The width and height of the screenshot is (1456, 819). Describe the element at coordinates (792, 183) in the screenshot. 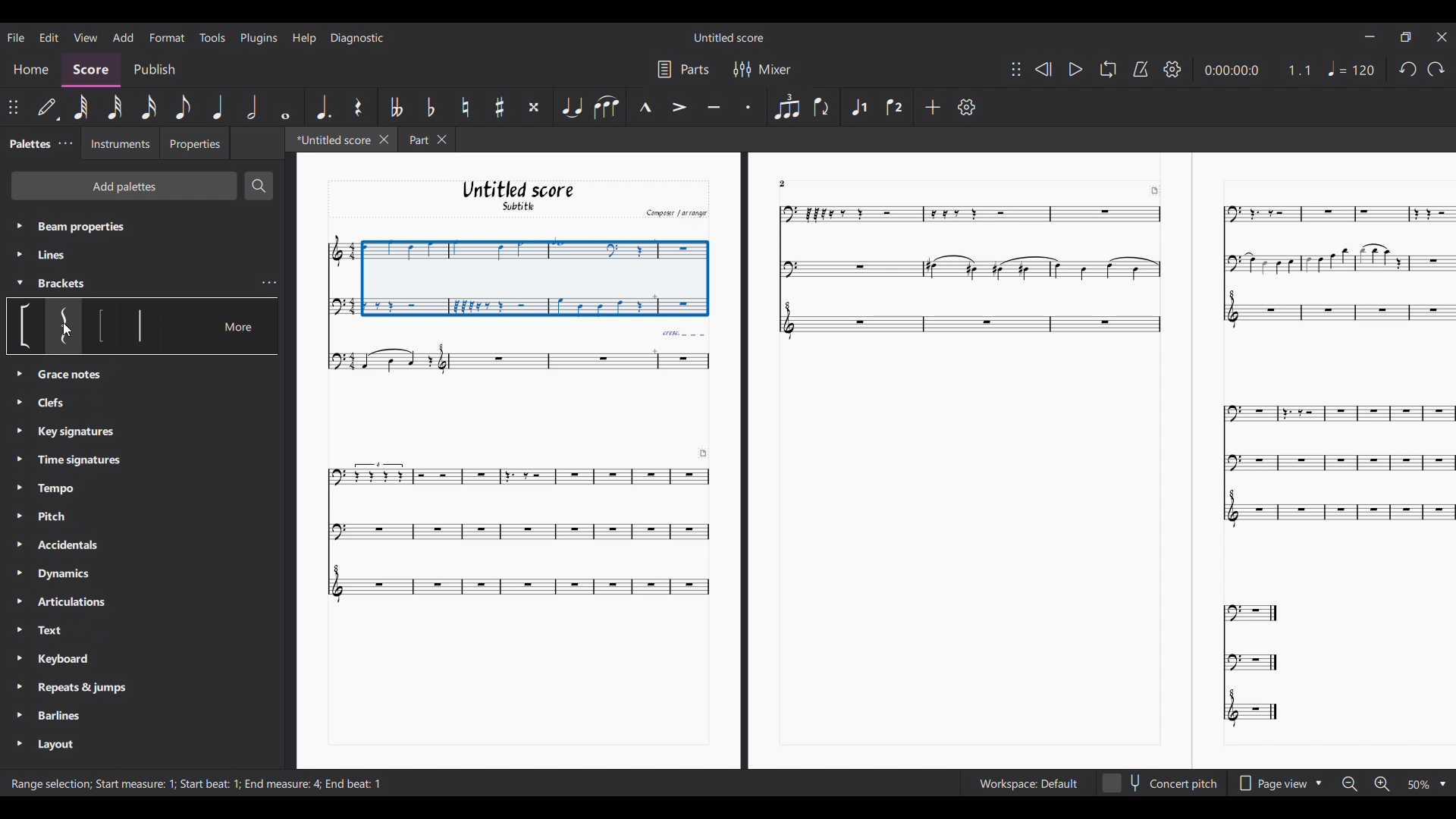

I see `2` at that location.